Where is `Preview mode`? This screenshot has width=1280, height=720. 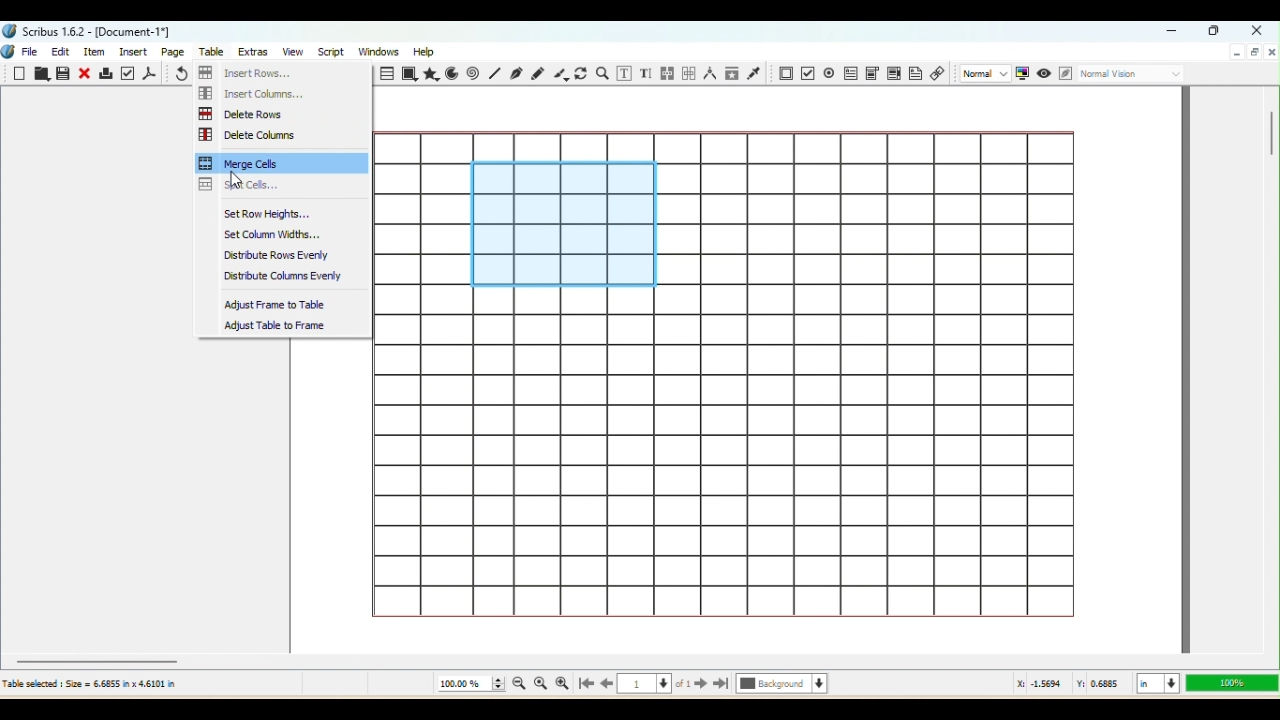 Preview mode is located at coordinates (1043, 72).